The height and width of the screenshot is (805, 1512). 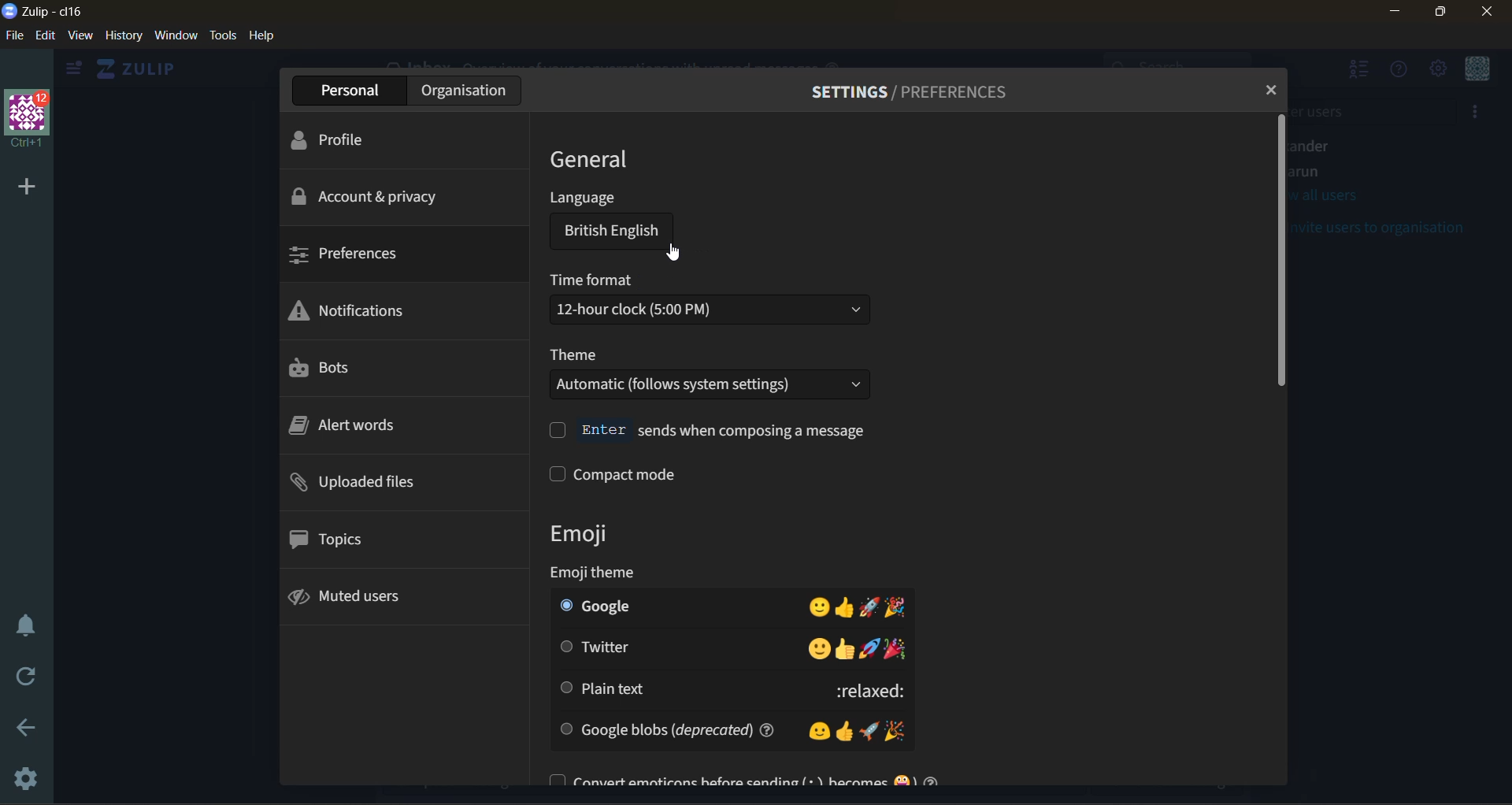 What do you see at coordinates (350, 135) in the screenshot?
I see `profile` at bounding box center [350, 135].